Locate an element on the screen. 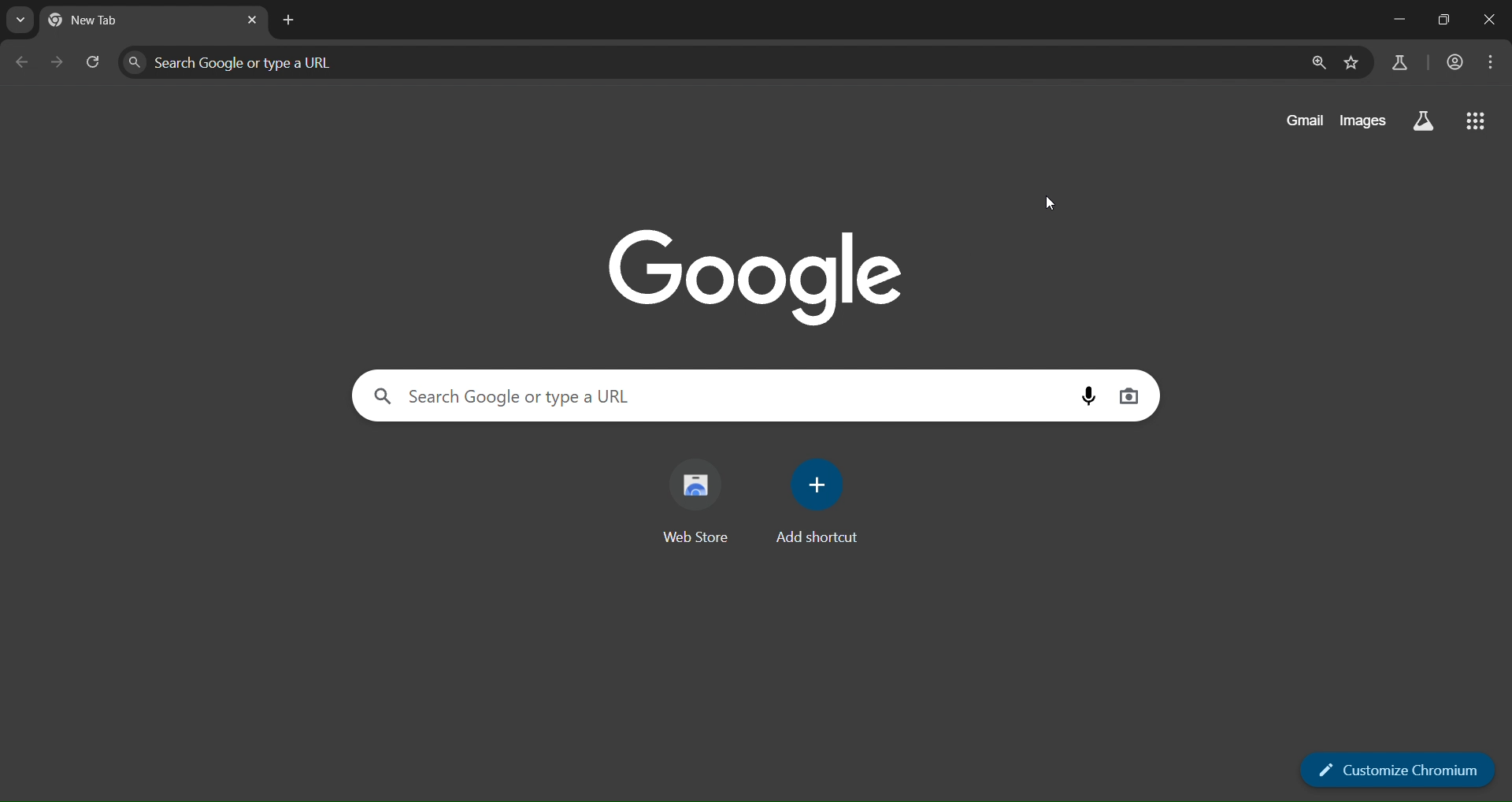  go forward one page is located at coordinates (56, 62).